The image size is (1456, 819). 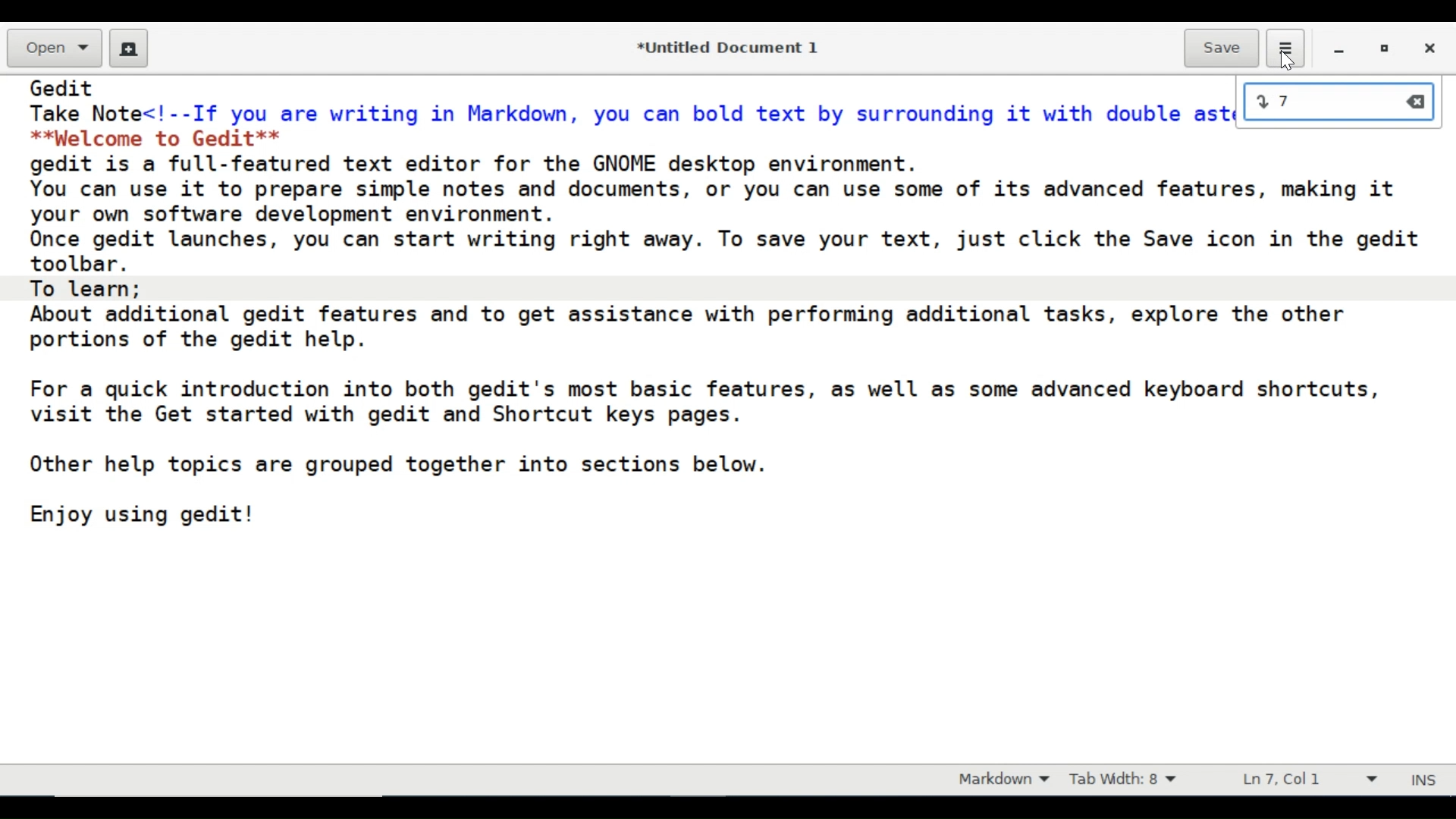 What do you see at coordinates (162, 137) in the screenshot?
I see `**palcome to Gedit**` at bounding box center [162, 137].